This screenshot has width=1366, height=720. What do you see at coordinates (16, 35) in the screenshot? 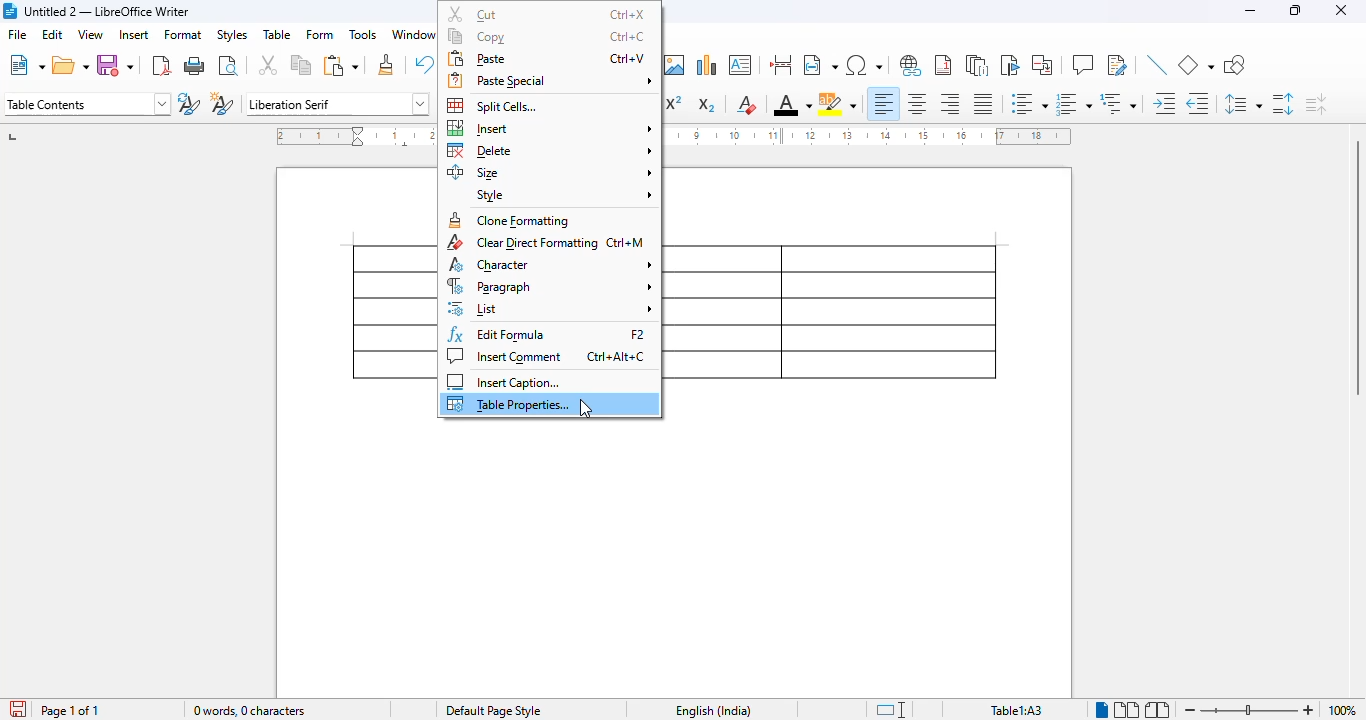
I see `file` at bounding box center [16, 35].